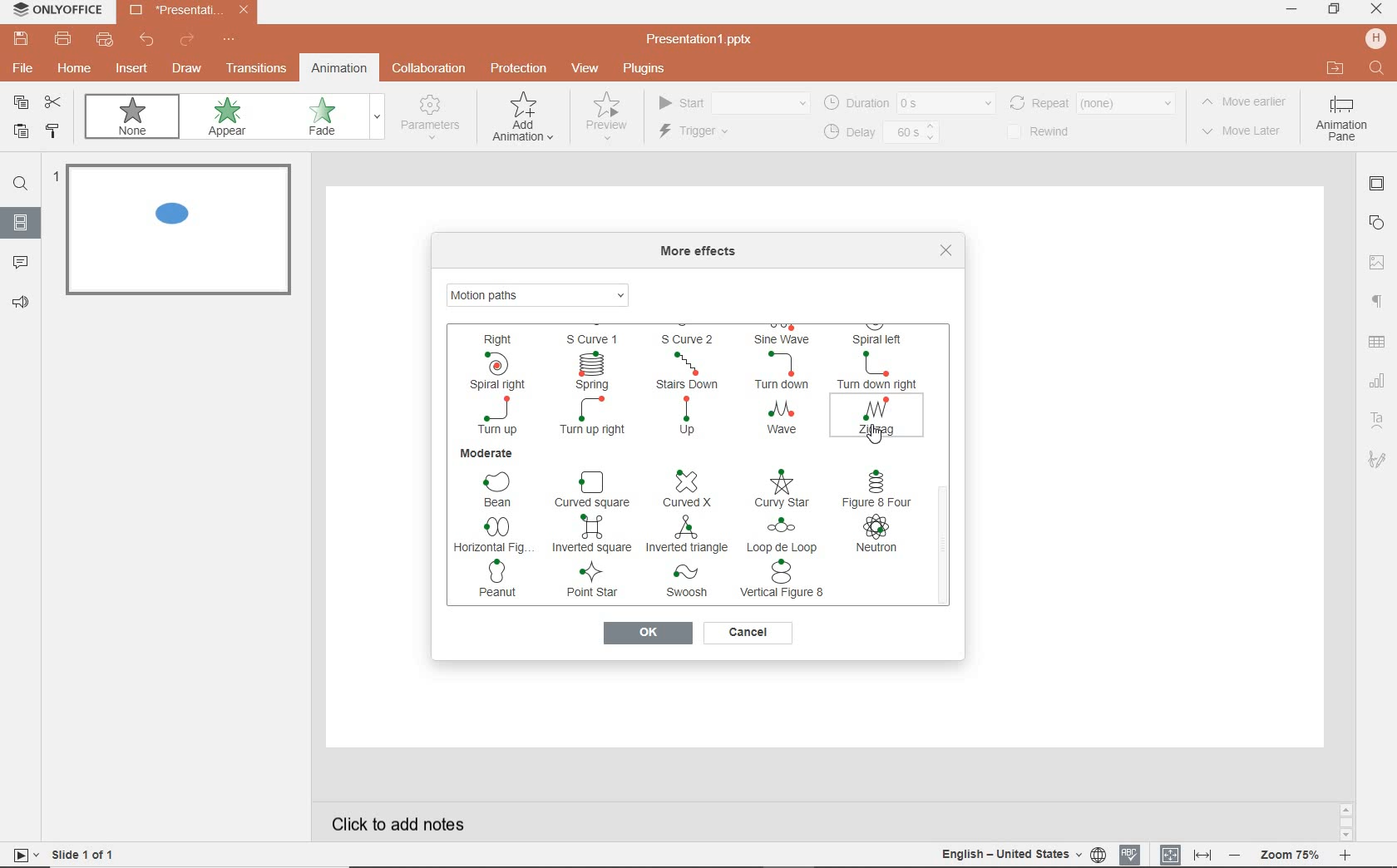 Image resolution: width=1397 pixels, height=868 pixels. I want to click on rewind, so click(1049, 132).